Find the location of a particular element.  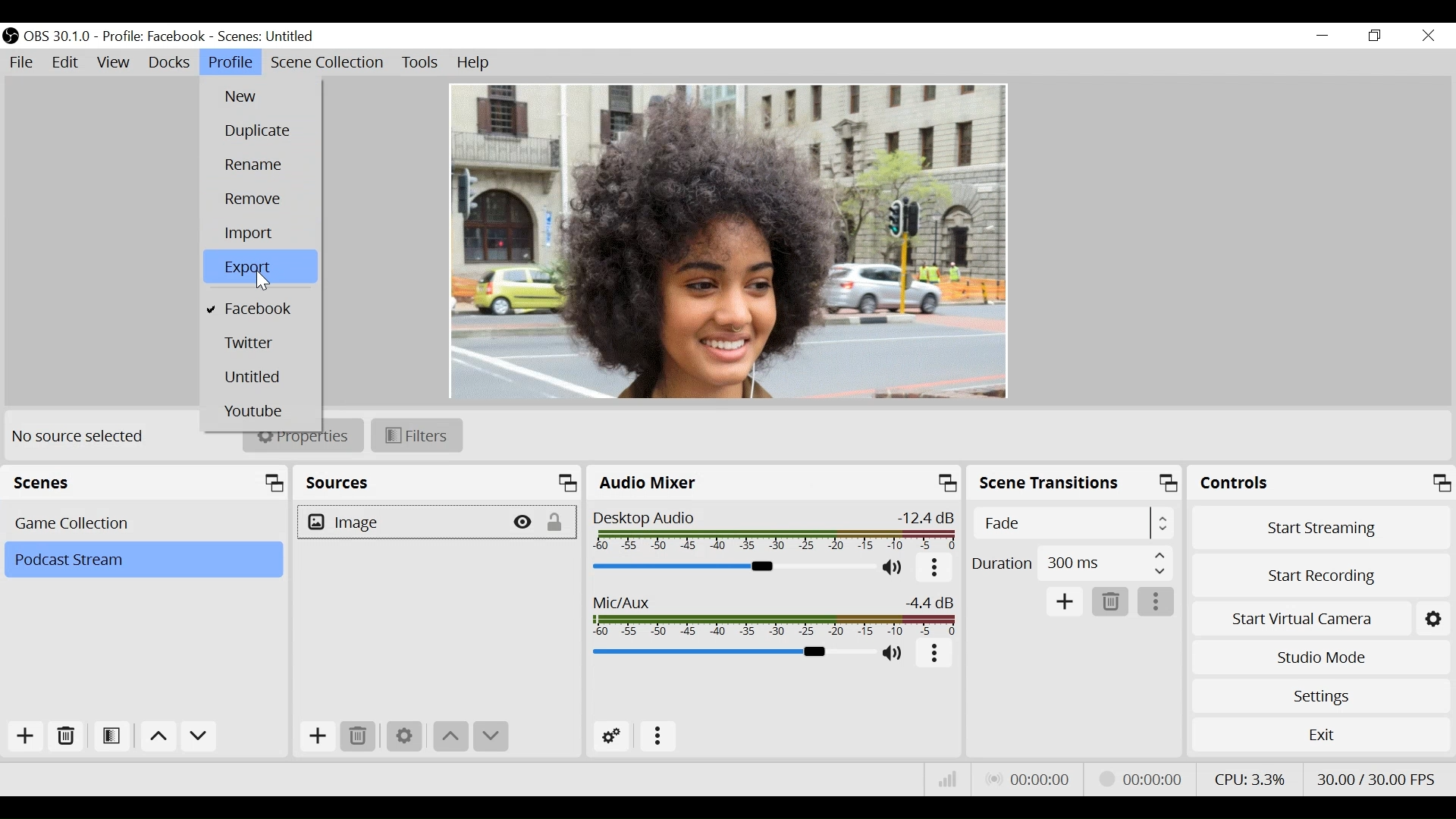

Remove is located at coordinates (67, 735).